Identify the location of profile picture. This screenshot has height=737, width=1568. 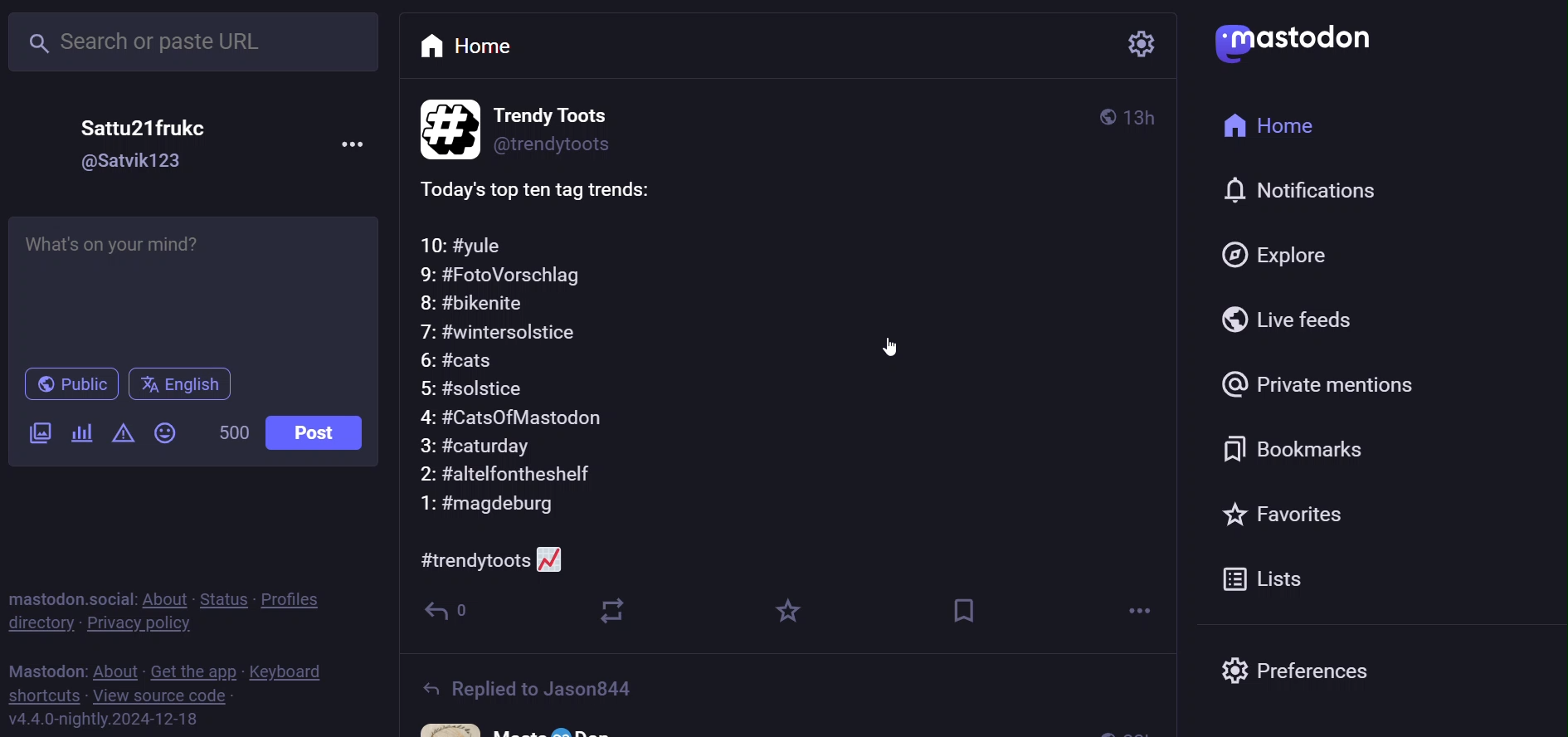
(450, 129).